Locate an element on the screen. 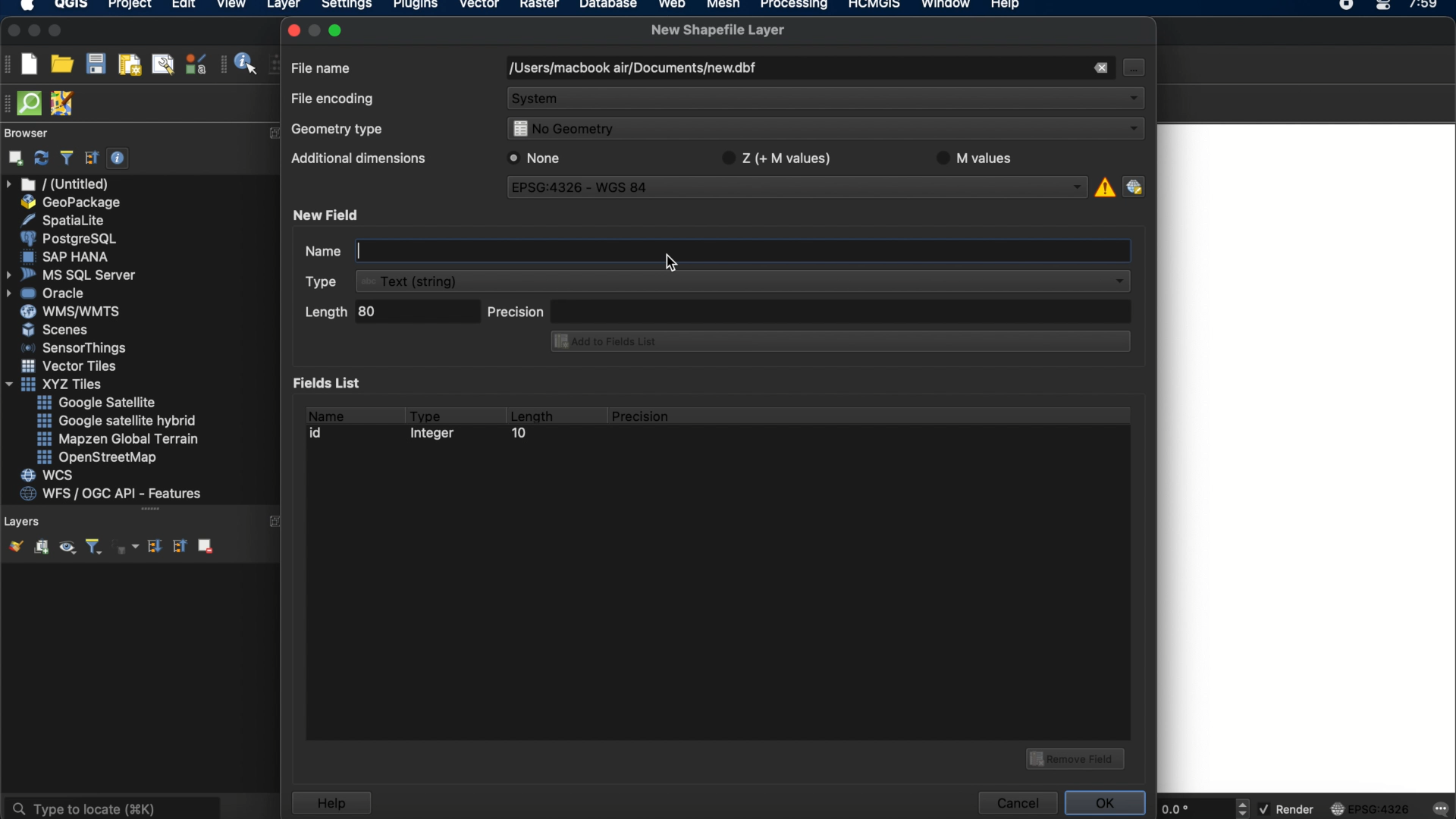 Image resolution: width=1456 pixels, height=819 pixels. style manager is located at coordinates (196, 64).